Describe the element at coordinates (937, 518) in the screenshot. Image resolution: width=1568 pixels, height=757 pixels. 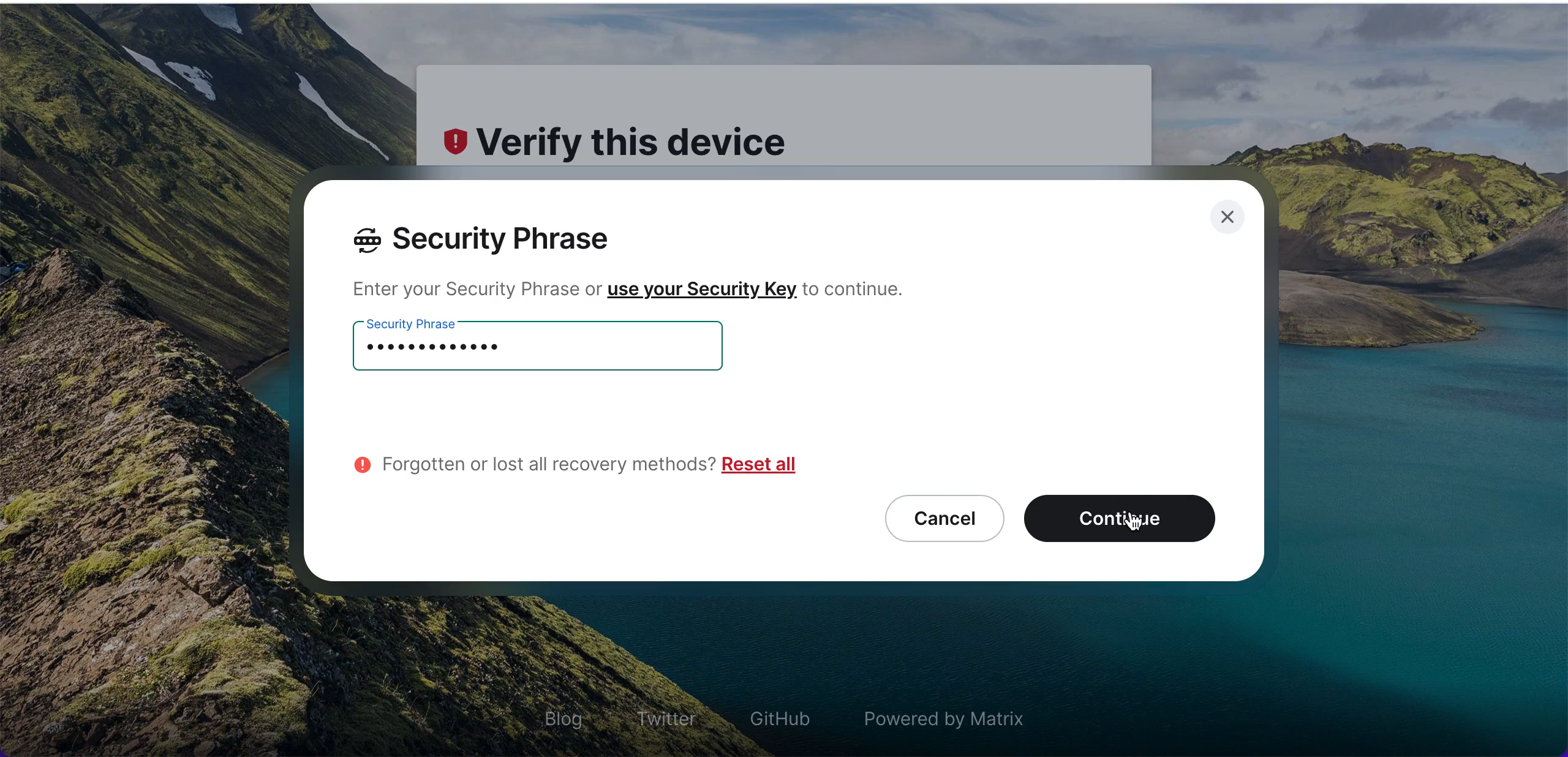
I see `cancel` at that location.